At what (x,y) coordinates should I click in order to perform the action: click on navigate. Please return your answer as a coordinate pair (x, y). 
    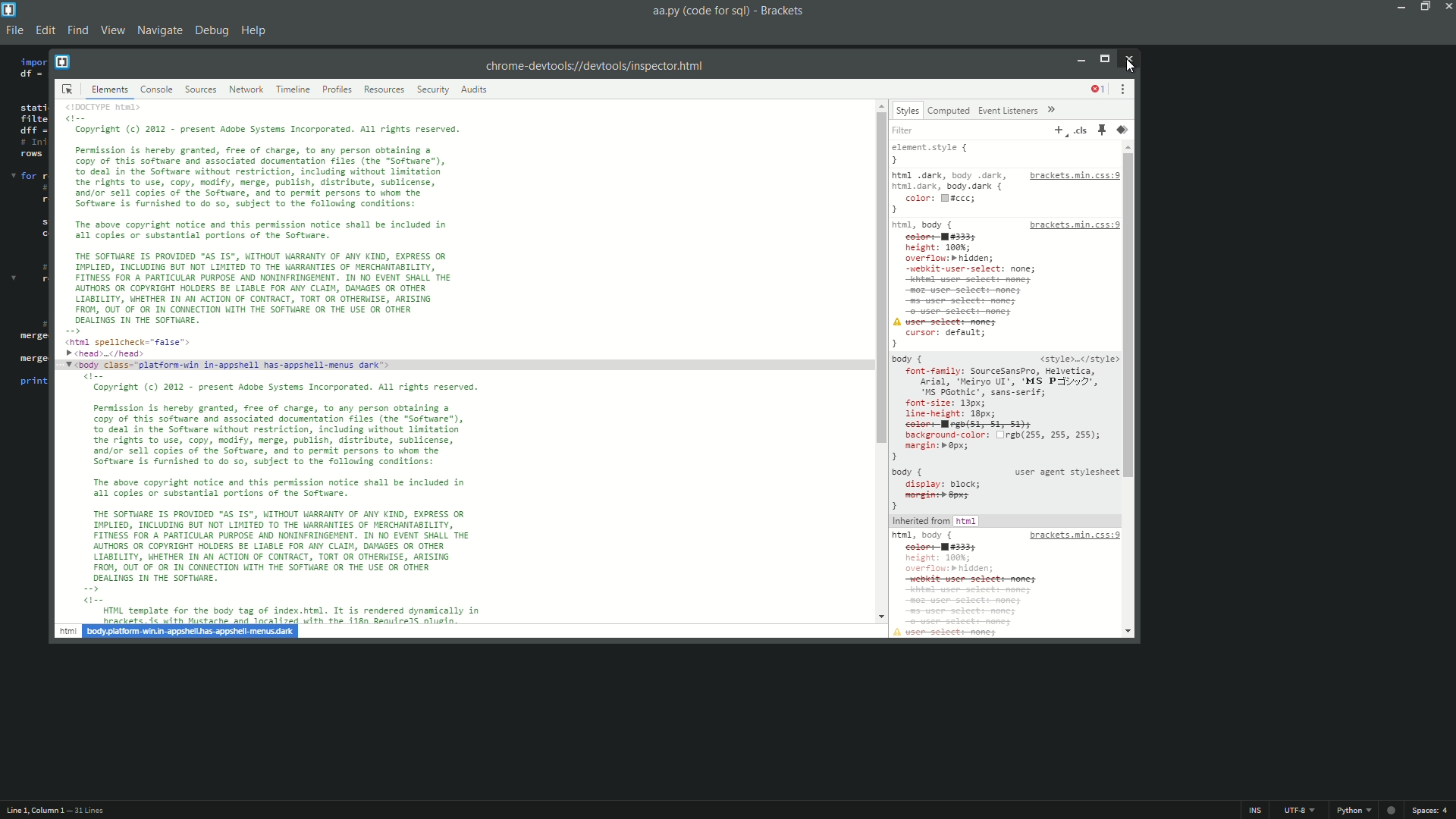
    Looking at the image, I should click on (161, 31).